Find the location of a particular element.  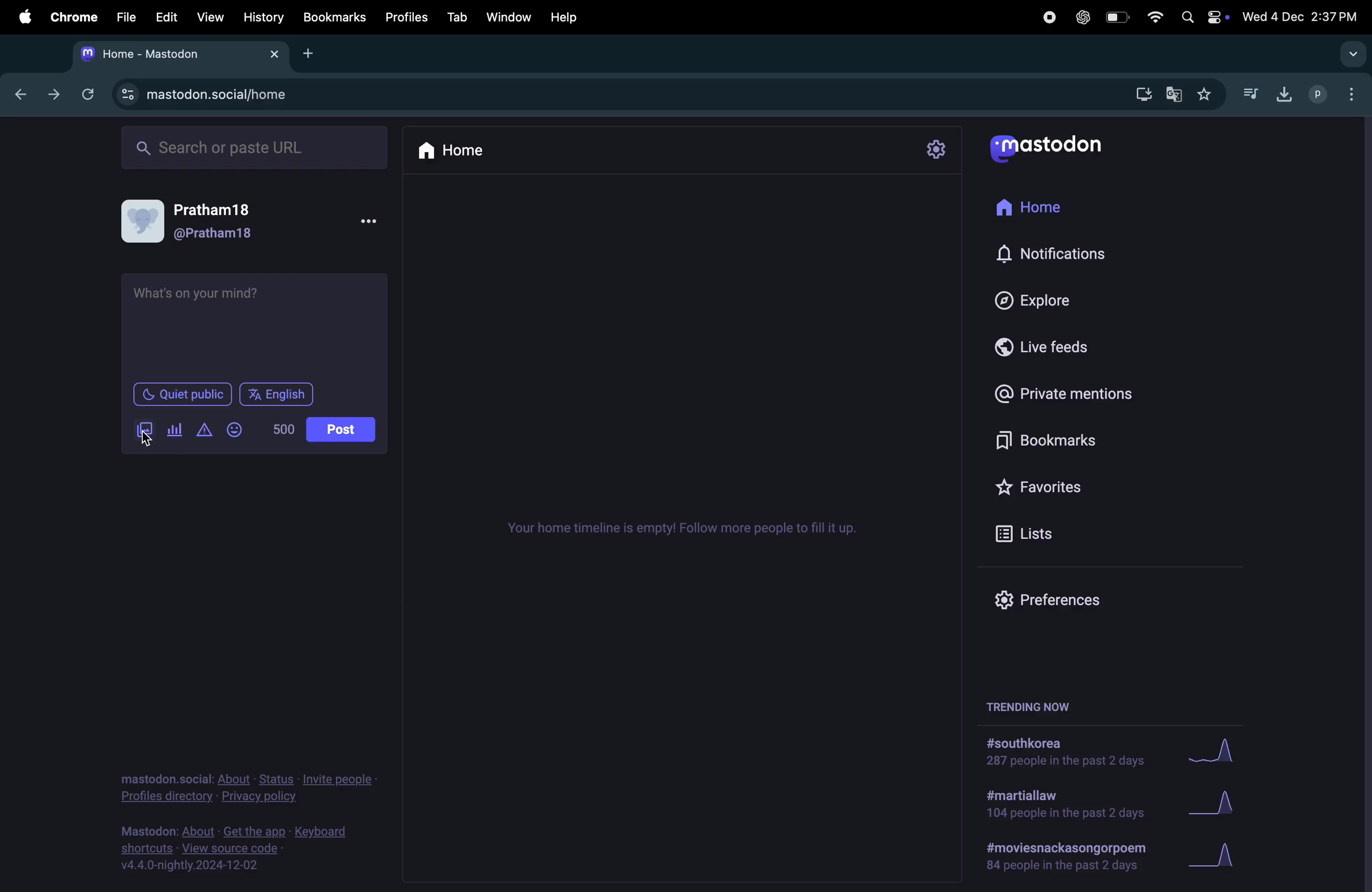

prefrences is located at coordinates (1051, 599).